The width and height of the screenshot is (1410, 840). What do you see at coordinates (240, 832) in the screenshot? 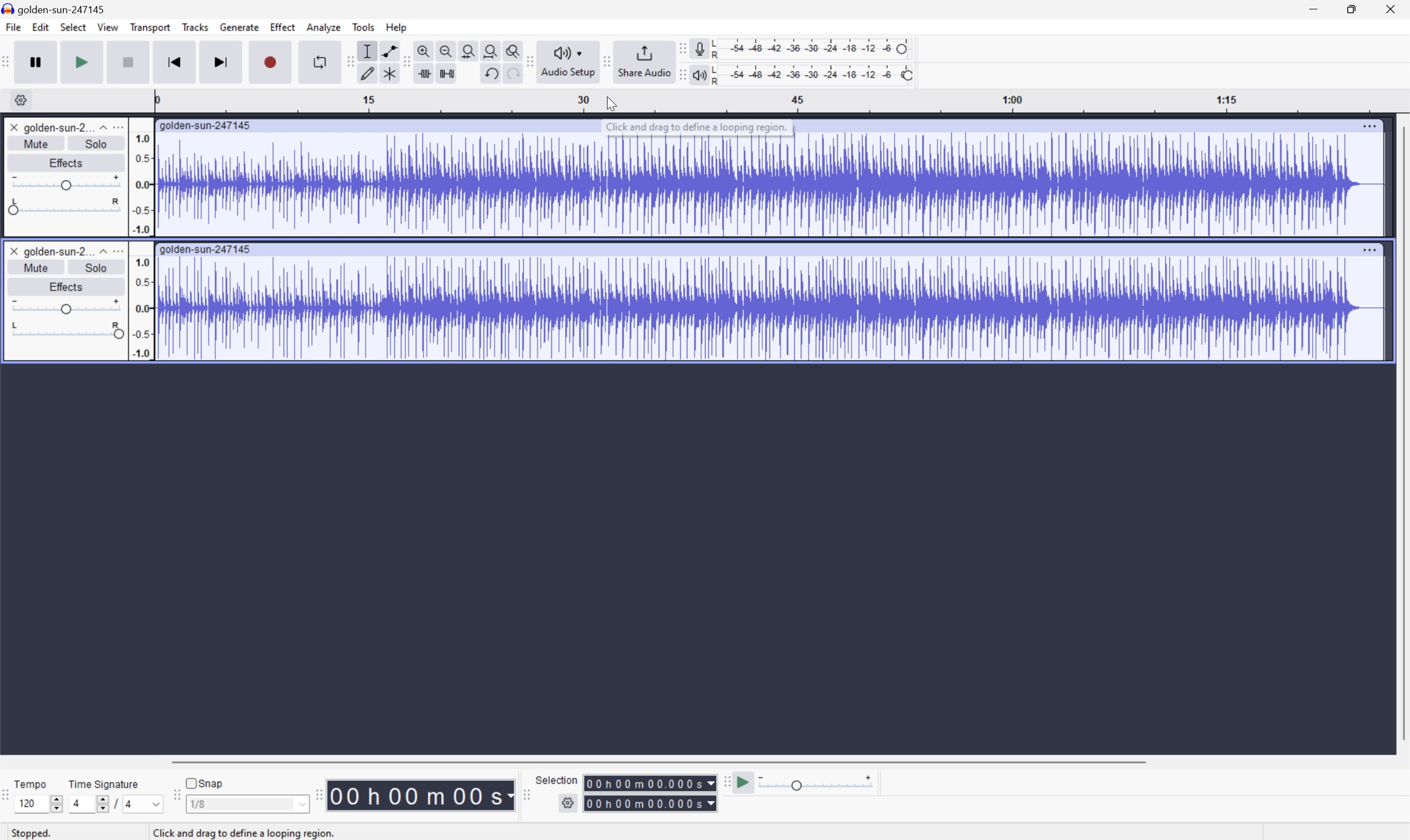
I see `click and drag to define a looping region` at bounding box center [240, 832].